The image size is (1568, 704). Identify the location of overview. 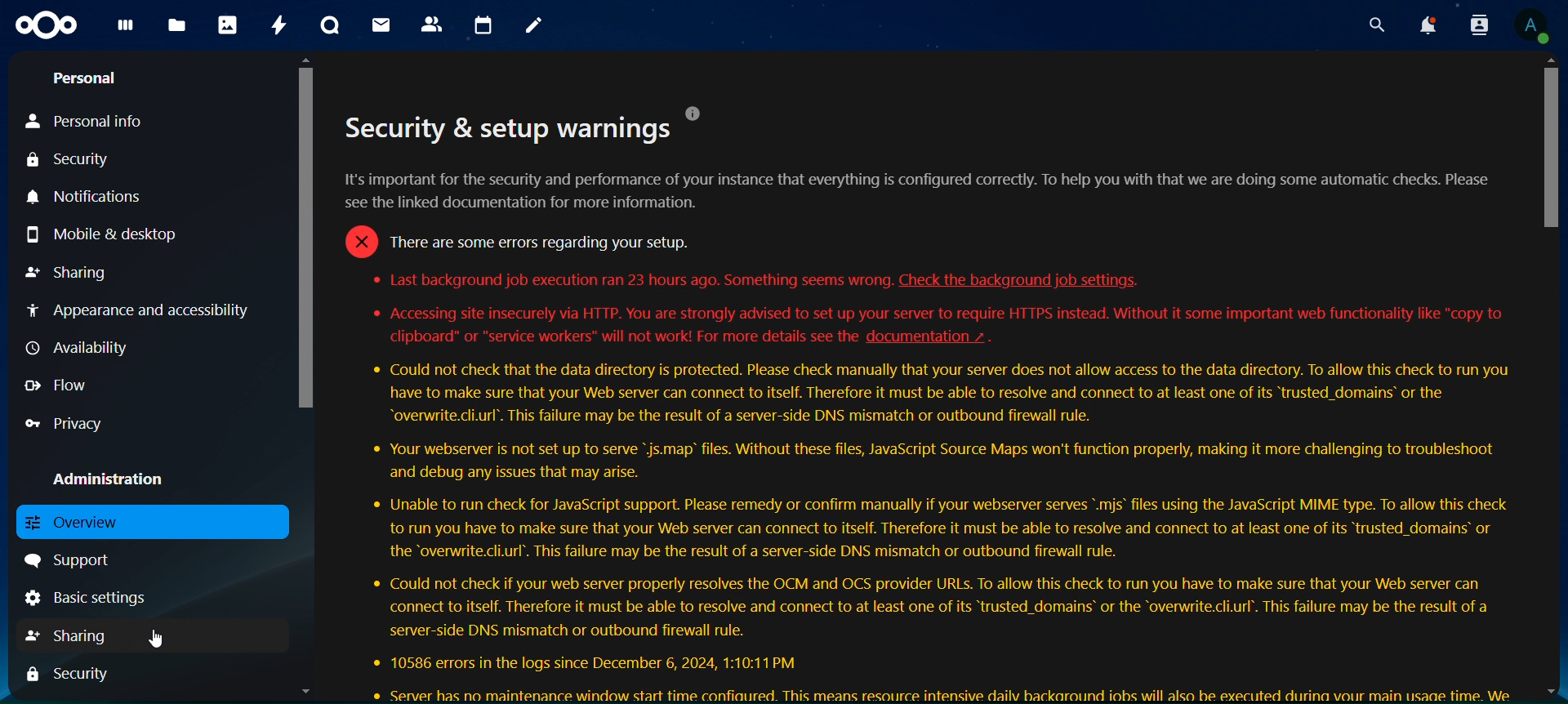
(85, 520).